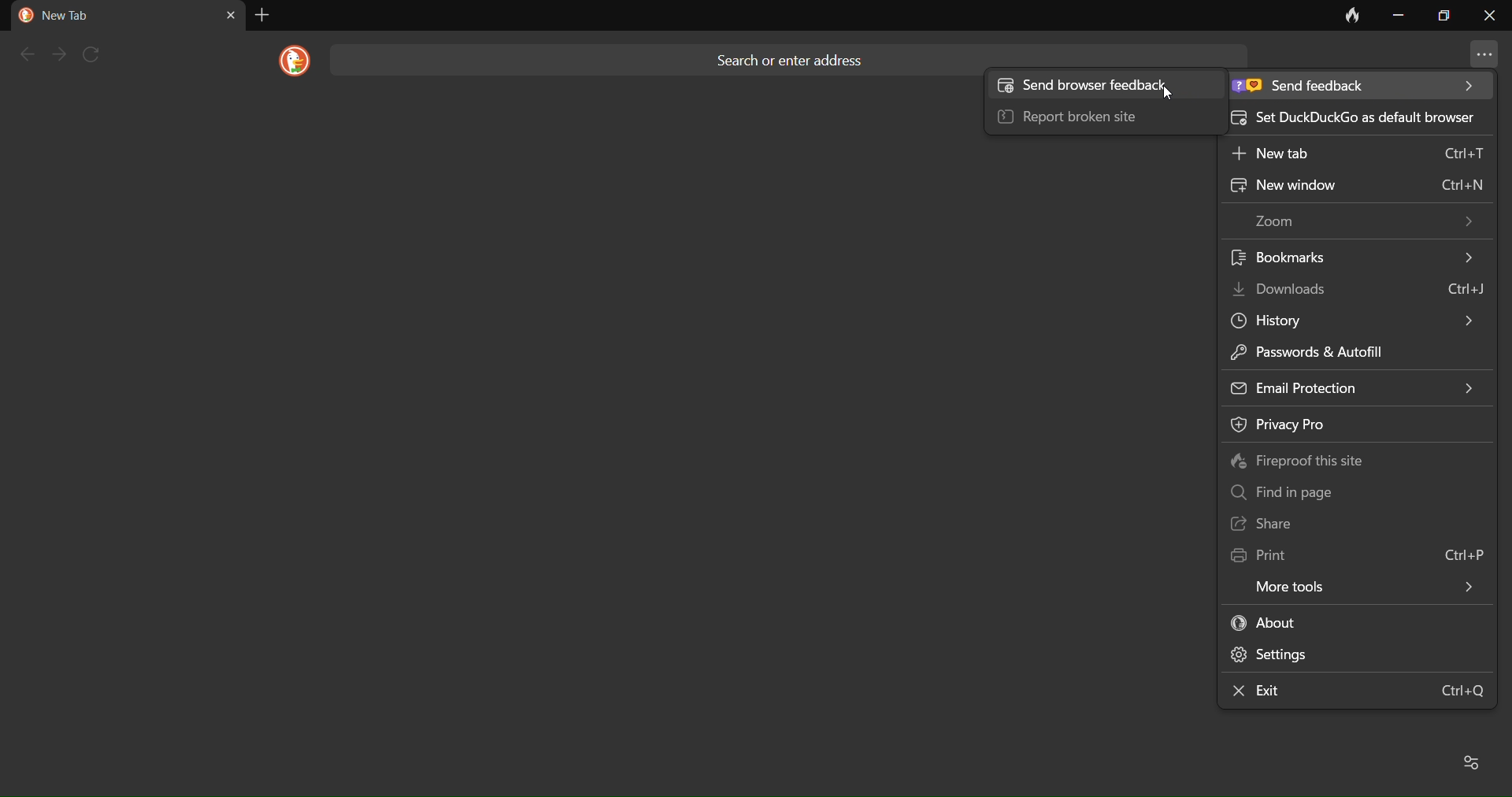 The width and height of the screenshot is (1512, 797). Describe the element at coordinates (1337, 621) in the screenshot. I see `about` at that location.